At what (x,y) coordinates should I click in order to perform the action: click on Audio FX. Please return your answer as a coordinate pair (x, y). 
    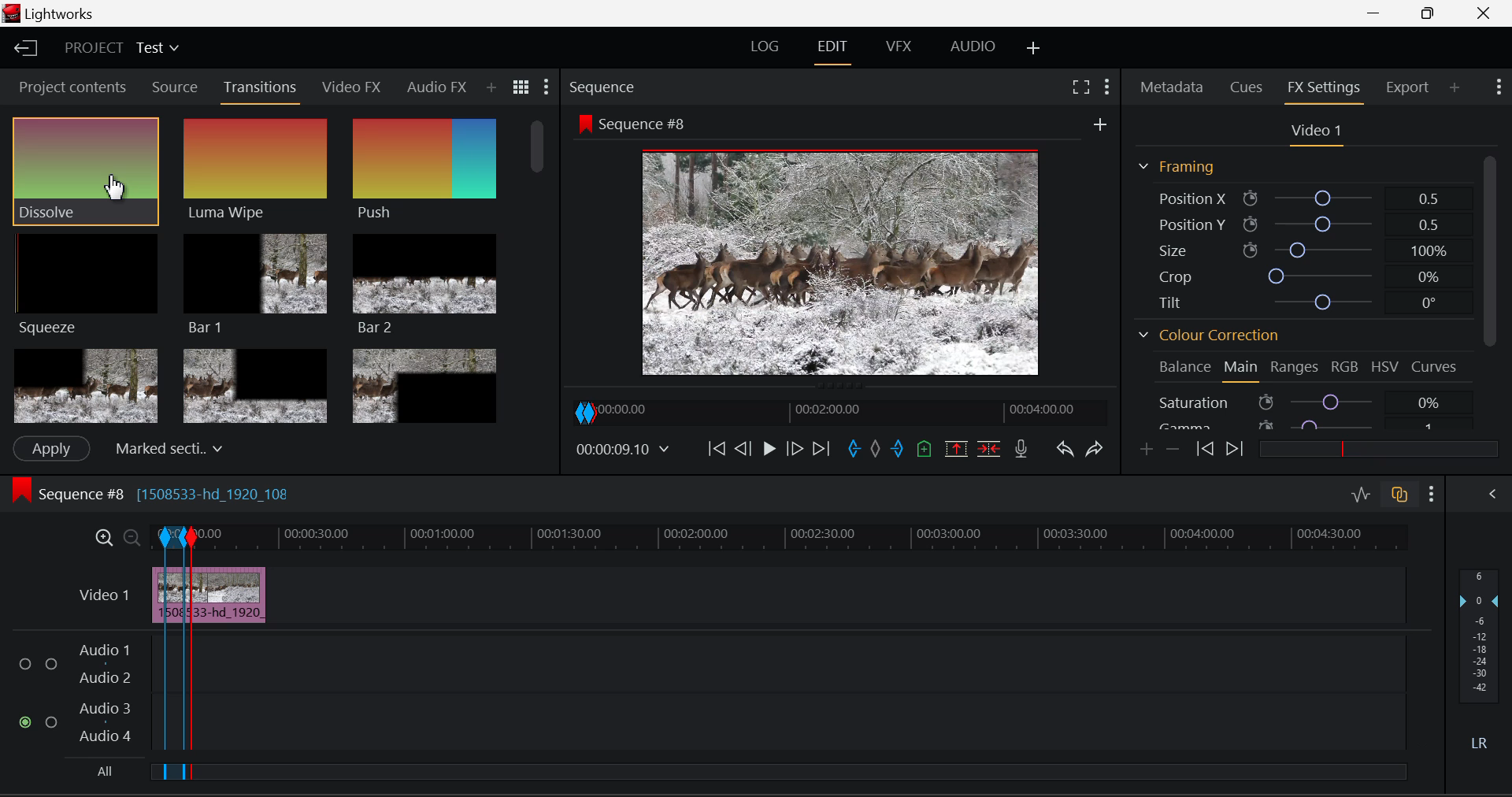
    Looking at the image, I should click on (437, 87).